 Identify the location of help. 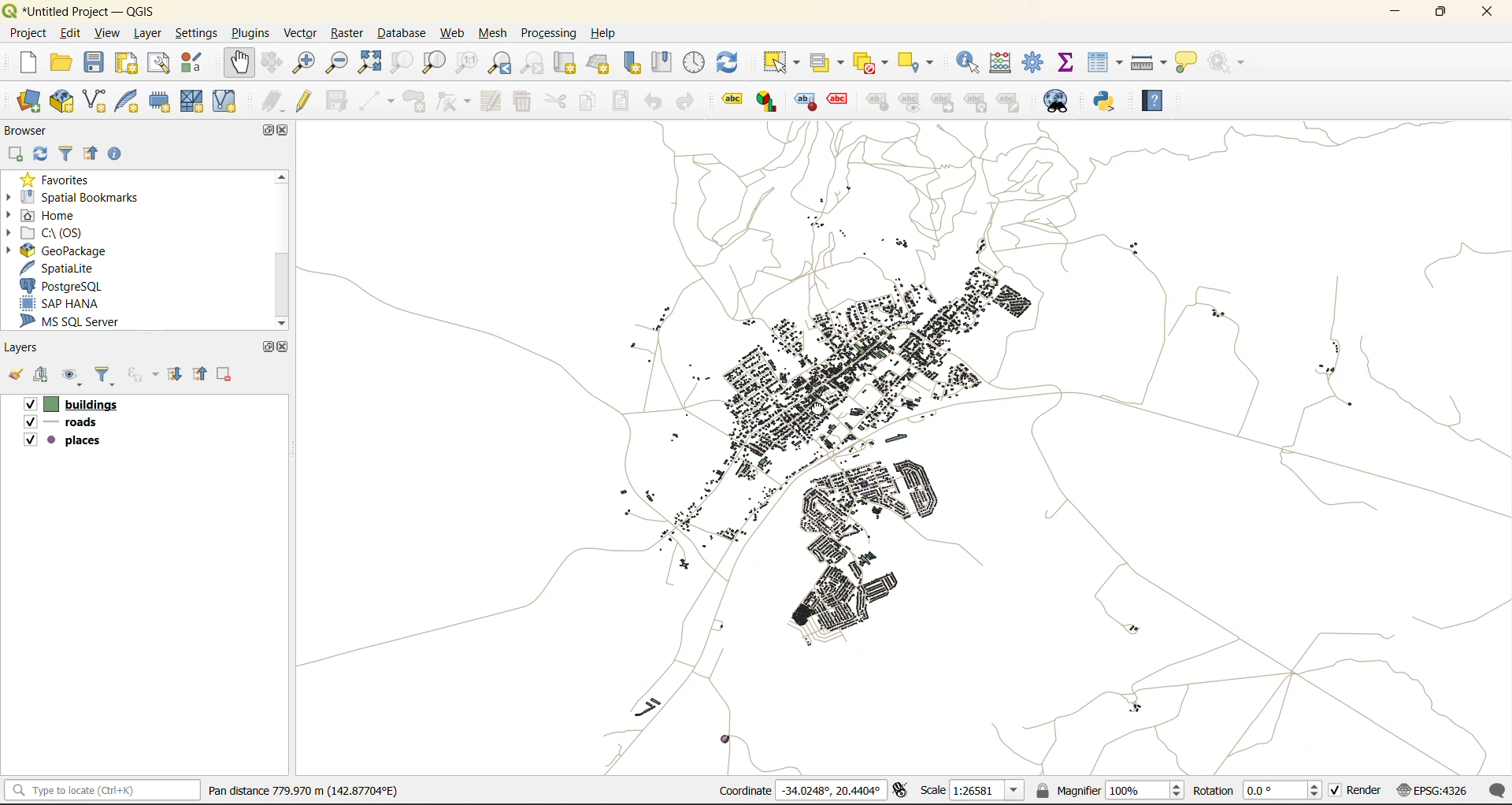
(606, 34).